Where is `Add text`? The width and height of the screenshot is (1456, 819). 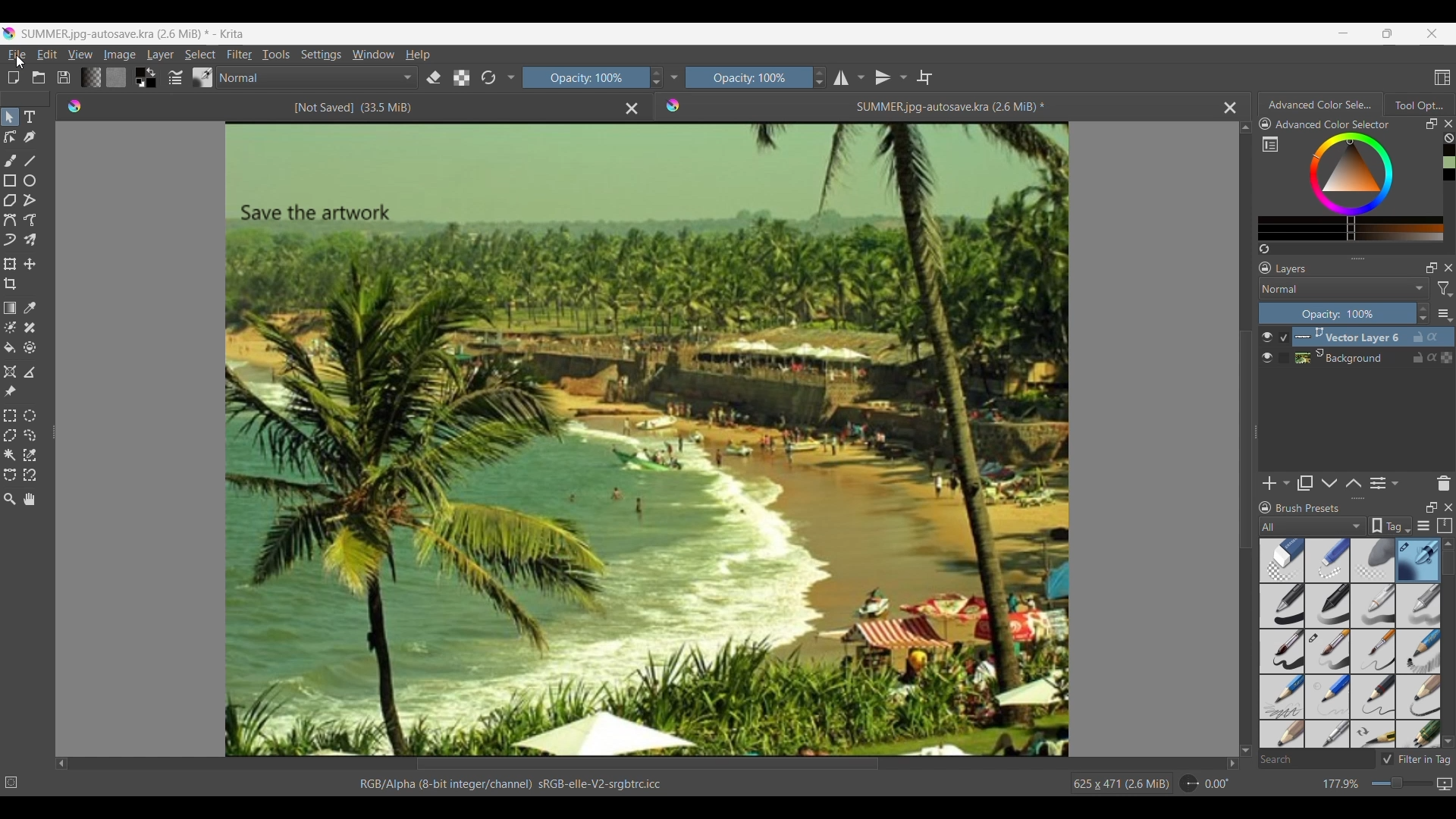
Add text is located at coordinates (30, 117).